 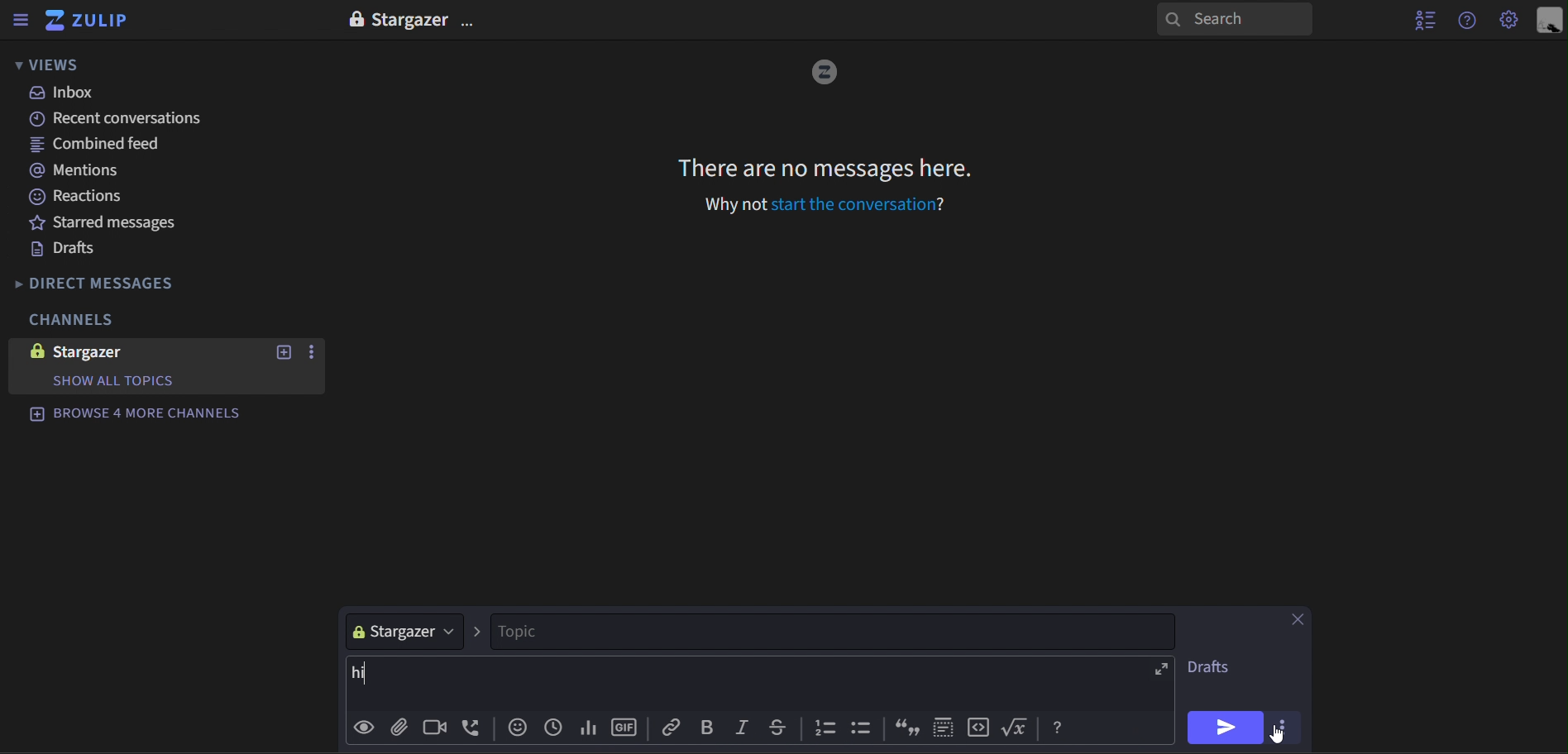 What do you see at coordinates (555, 728) in the screenshot?
I see `add global time` at bounding box center [555, 728].